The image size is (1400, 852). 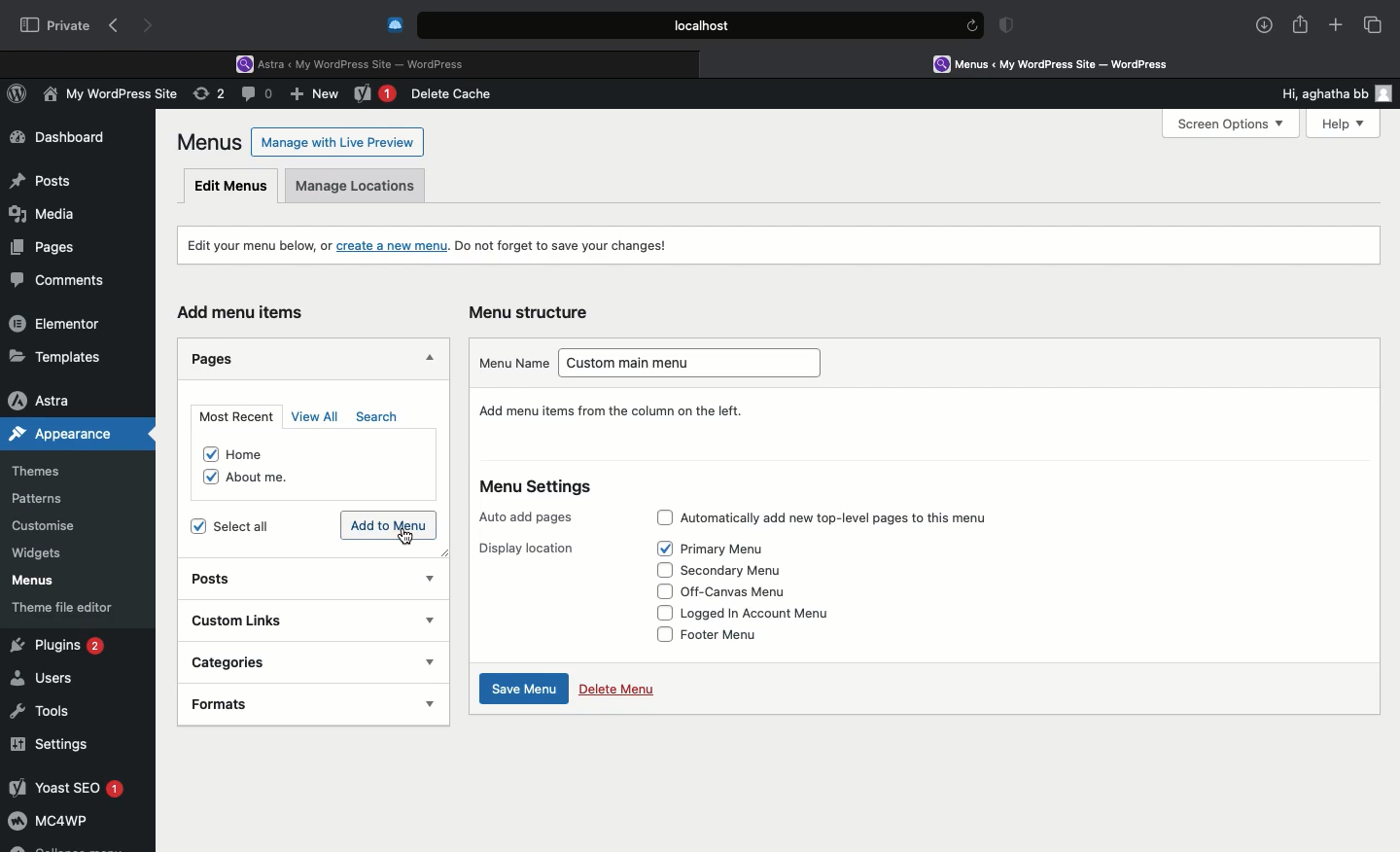 What do you see at coordinates (55, 24) in the screenshot?
I see `Private` at bounding box center [55, 24].